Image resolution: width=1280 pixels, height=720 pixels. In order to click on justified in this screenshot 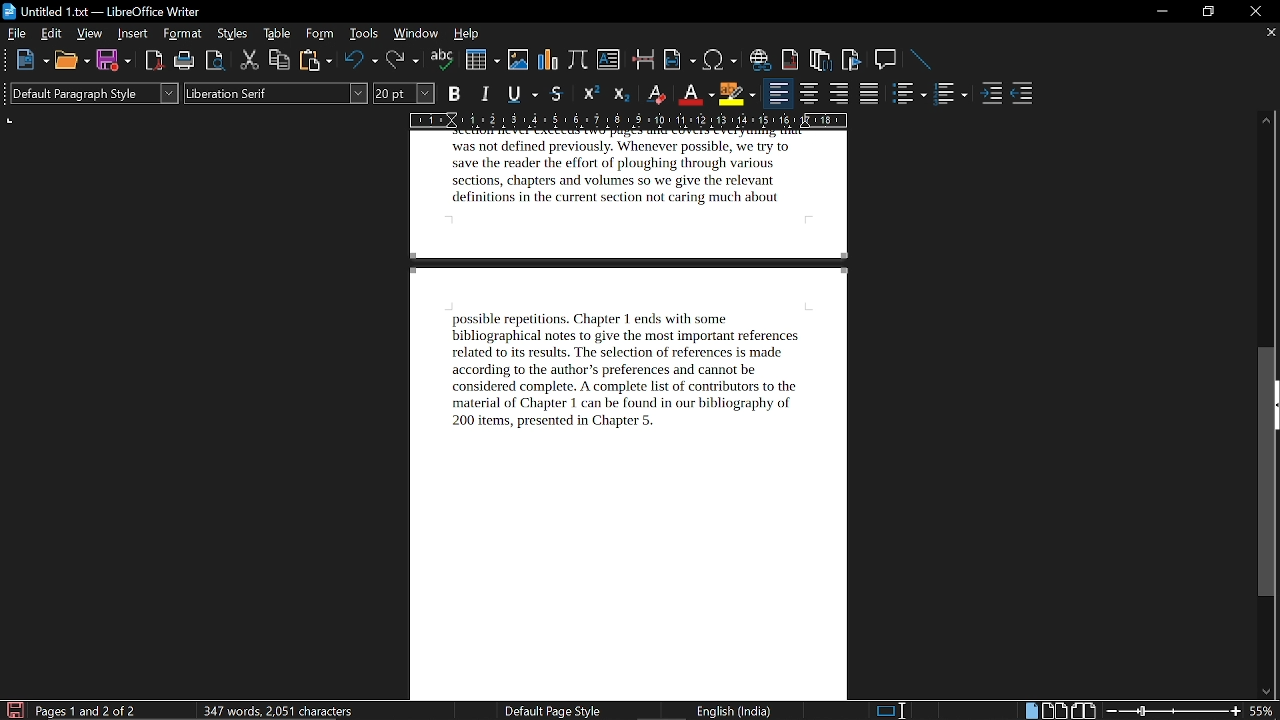, I will do `click(870, 95)`.